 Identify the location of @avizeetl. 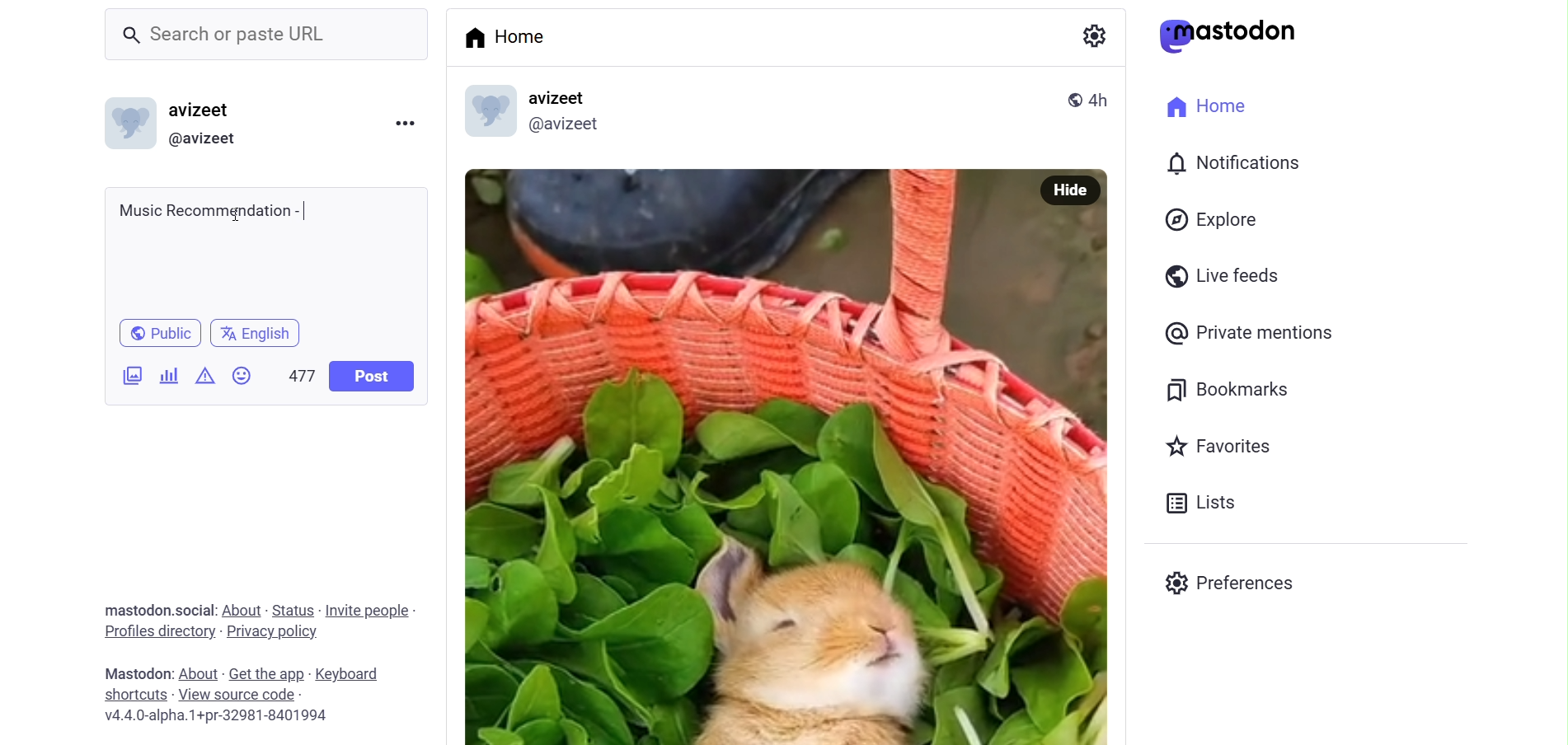
(567, 126).